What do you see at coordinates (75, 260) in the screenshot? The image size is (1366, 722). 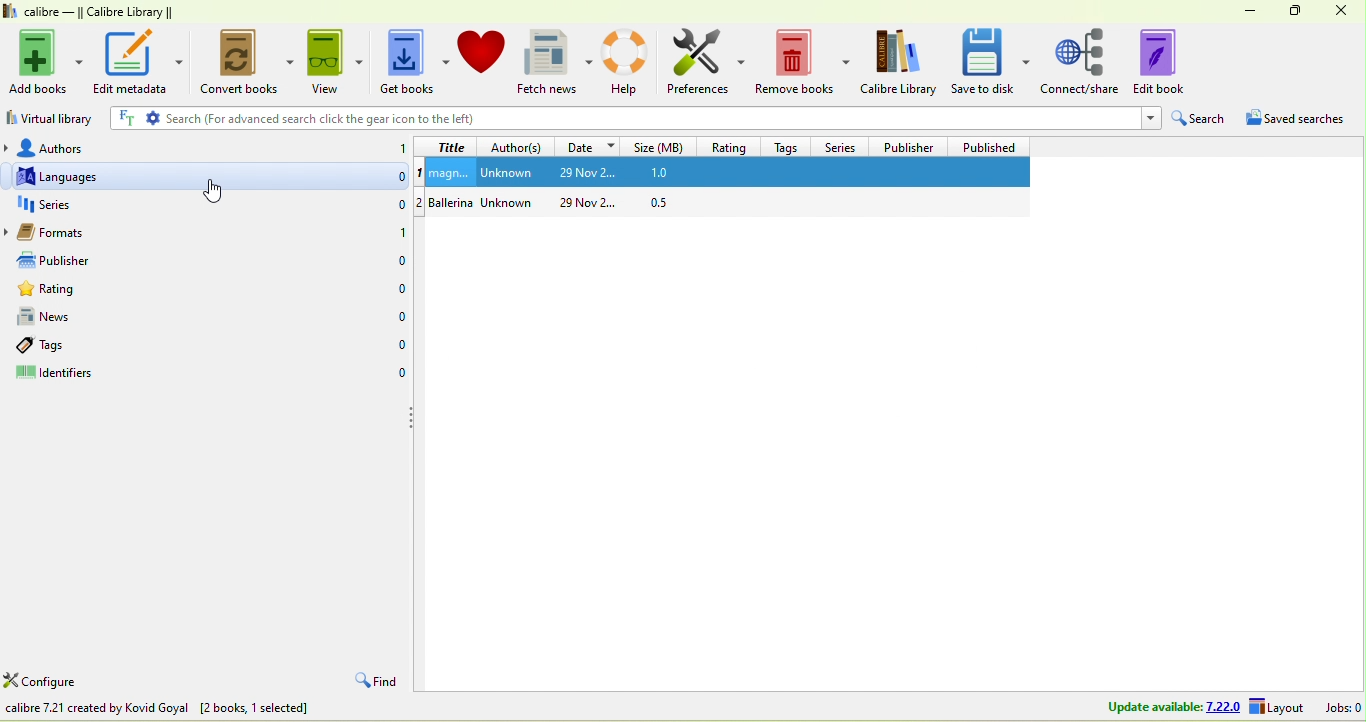 I see `publisher` at bounding box center [75, 260].